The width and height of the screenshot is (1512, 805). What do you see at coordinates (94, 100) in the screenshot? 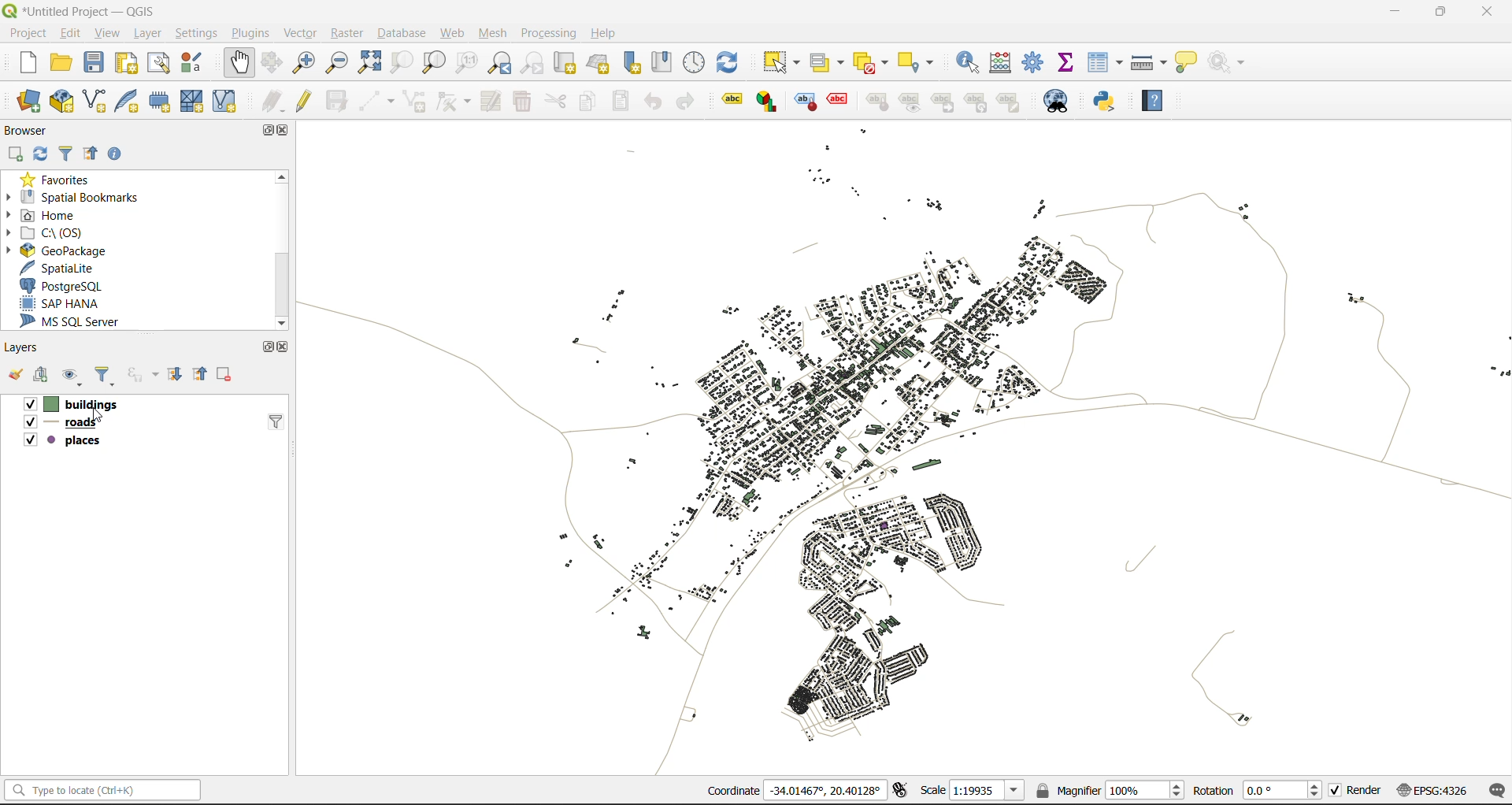
I see `new shapefile` at bounding box center [94, 100].